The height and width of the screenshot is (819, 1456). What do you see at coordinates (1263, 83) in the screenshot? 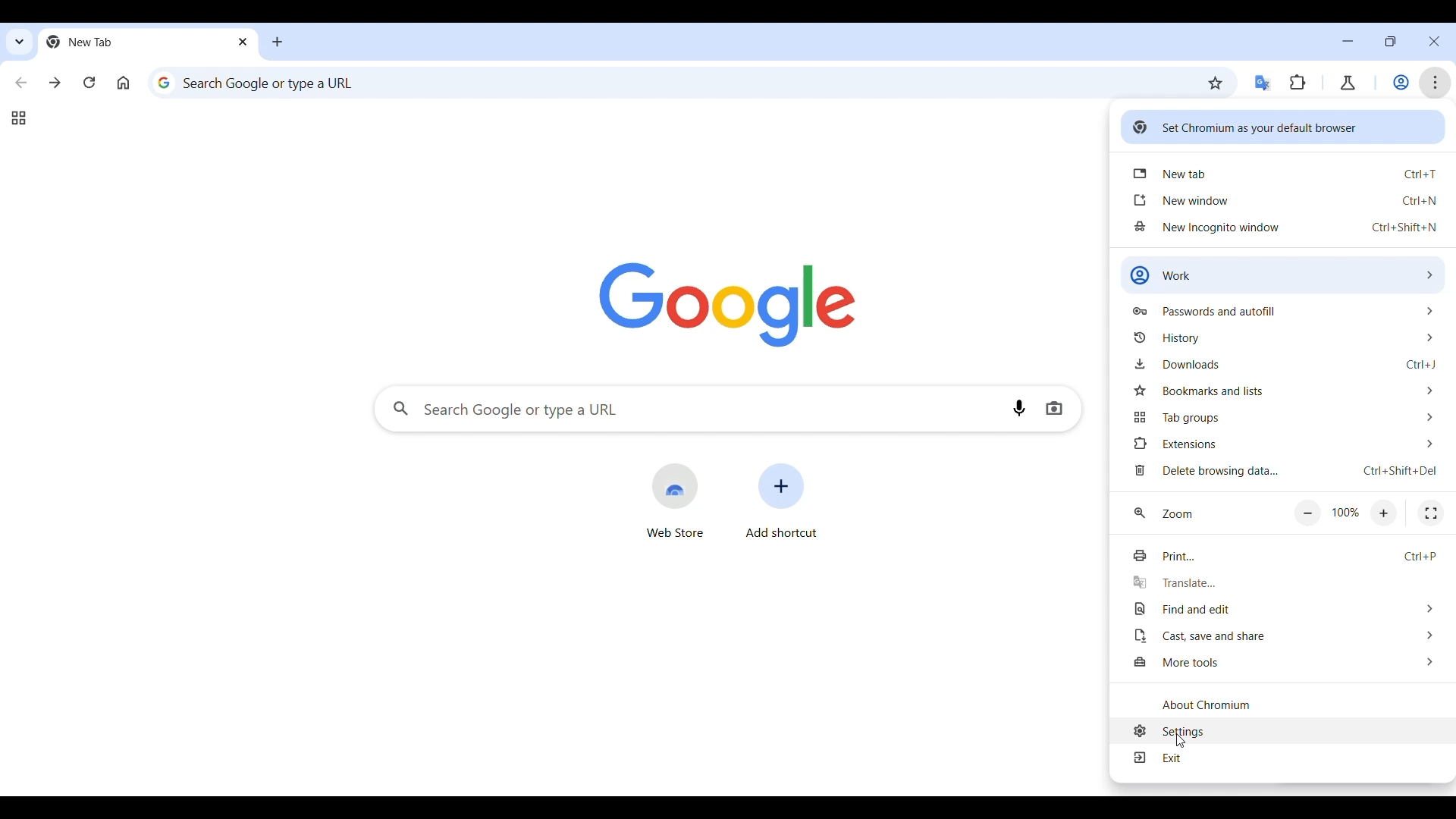
I see `Google translator extension` at bounding box center [1263, 83].